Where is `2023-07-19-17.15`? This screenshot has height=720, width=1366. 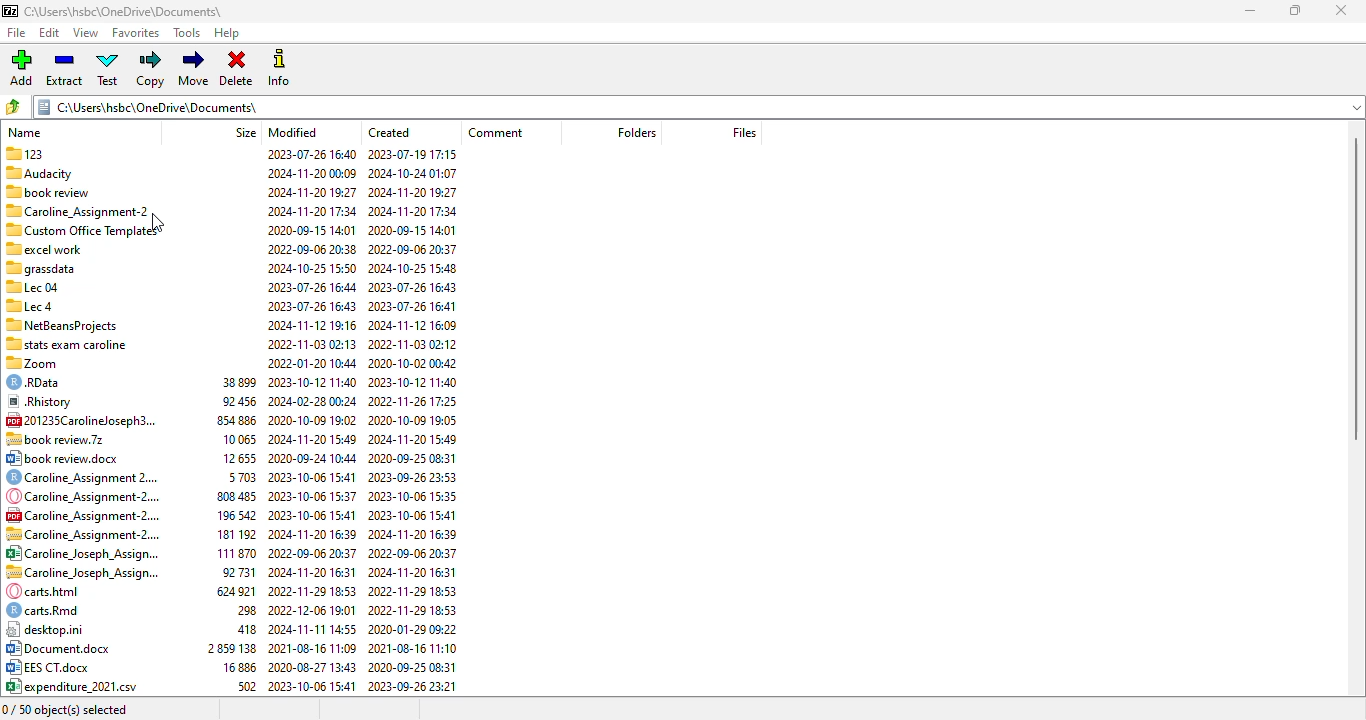 2023-07-19-17.15 is located at coordinates (421, 153).